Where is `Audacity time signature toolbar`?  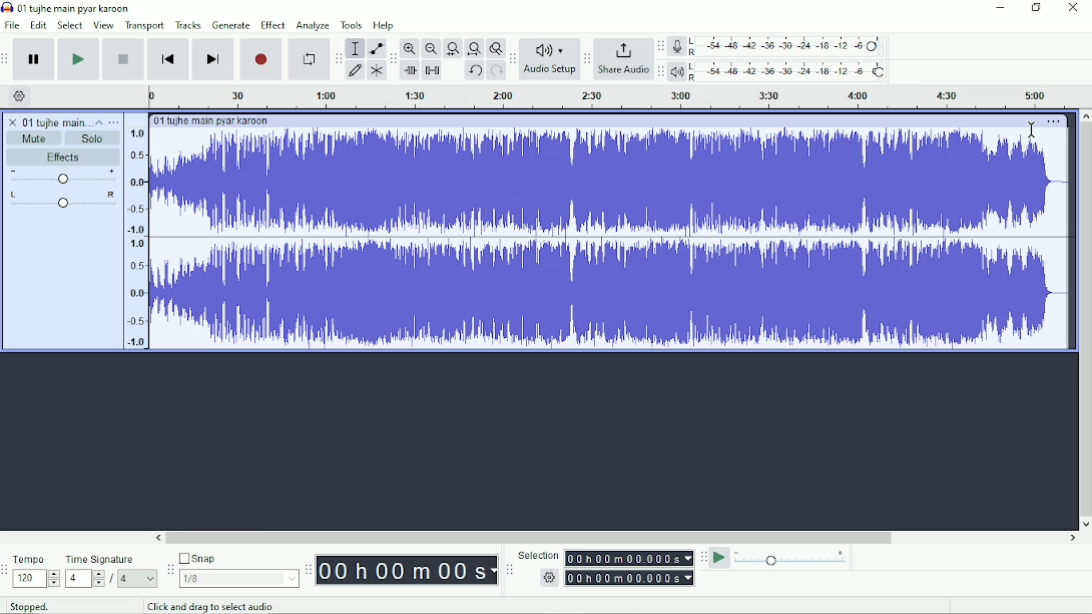
Audacity time signature toolbar is located at coordinates (5, 571).